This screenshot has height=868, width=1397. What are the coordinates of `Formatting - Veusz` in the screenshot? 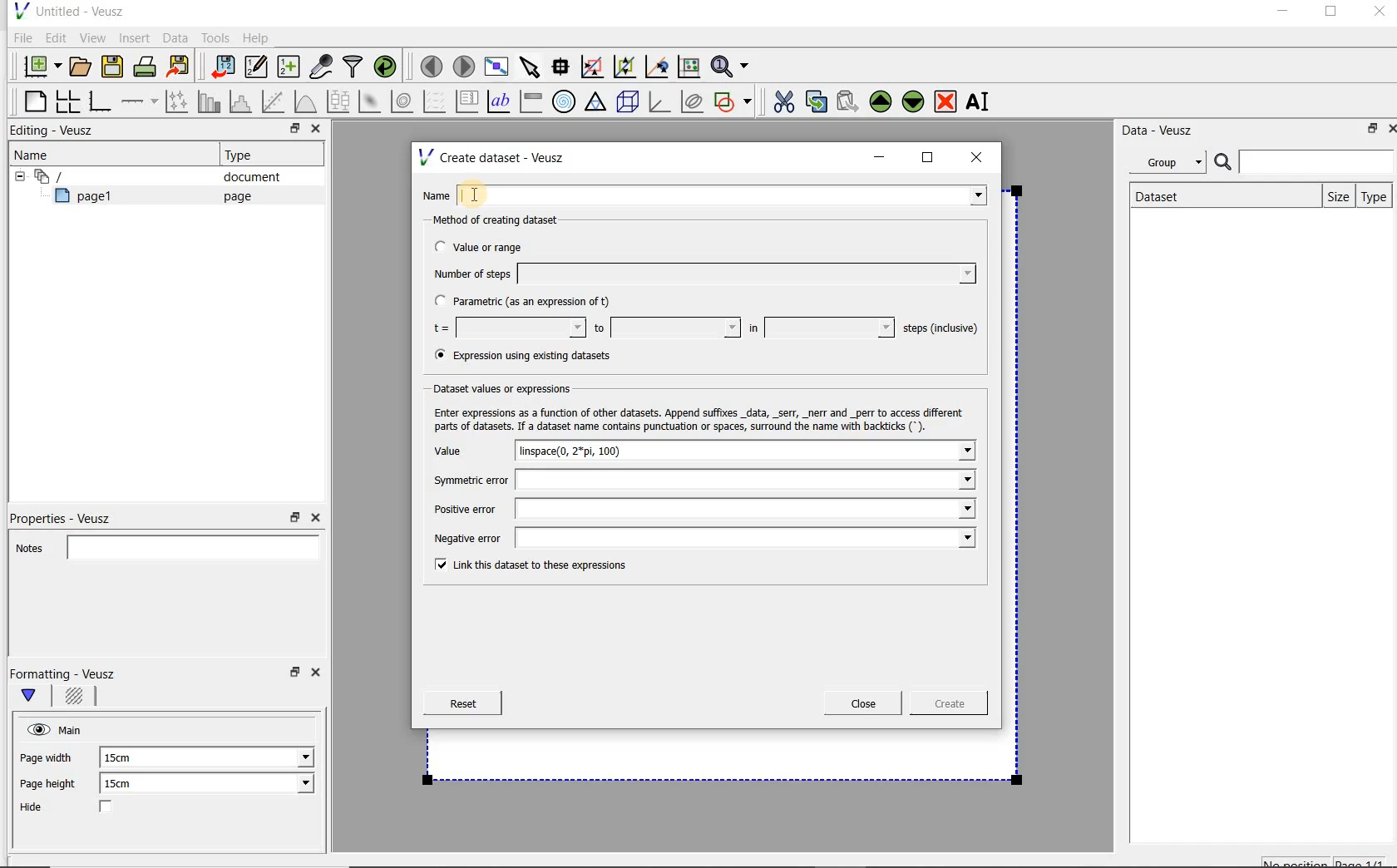 It's located at (65, 673).